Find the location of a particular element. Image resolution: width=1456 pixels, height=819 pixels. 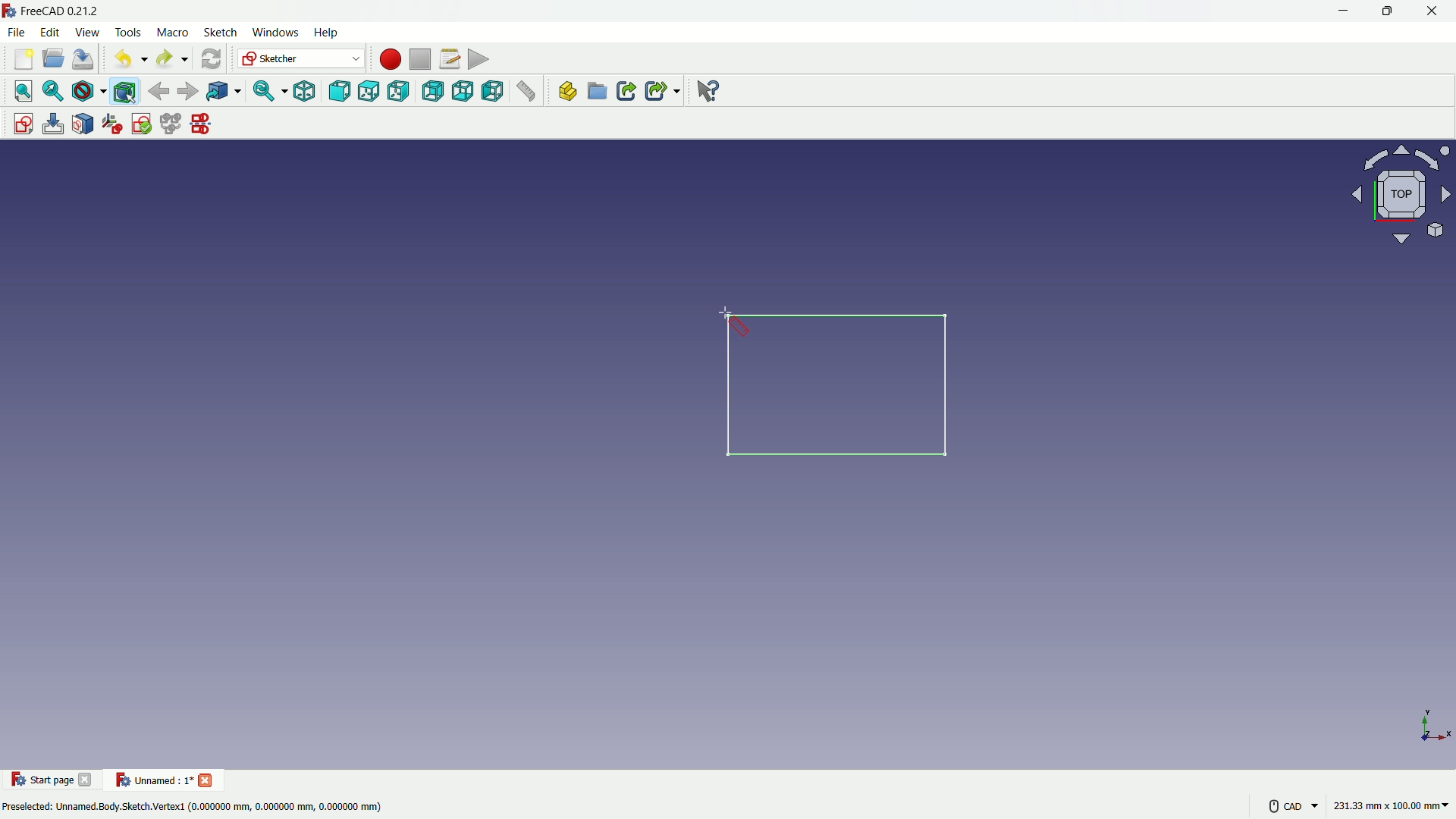

file menu is located at coordinates (18, 33).